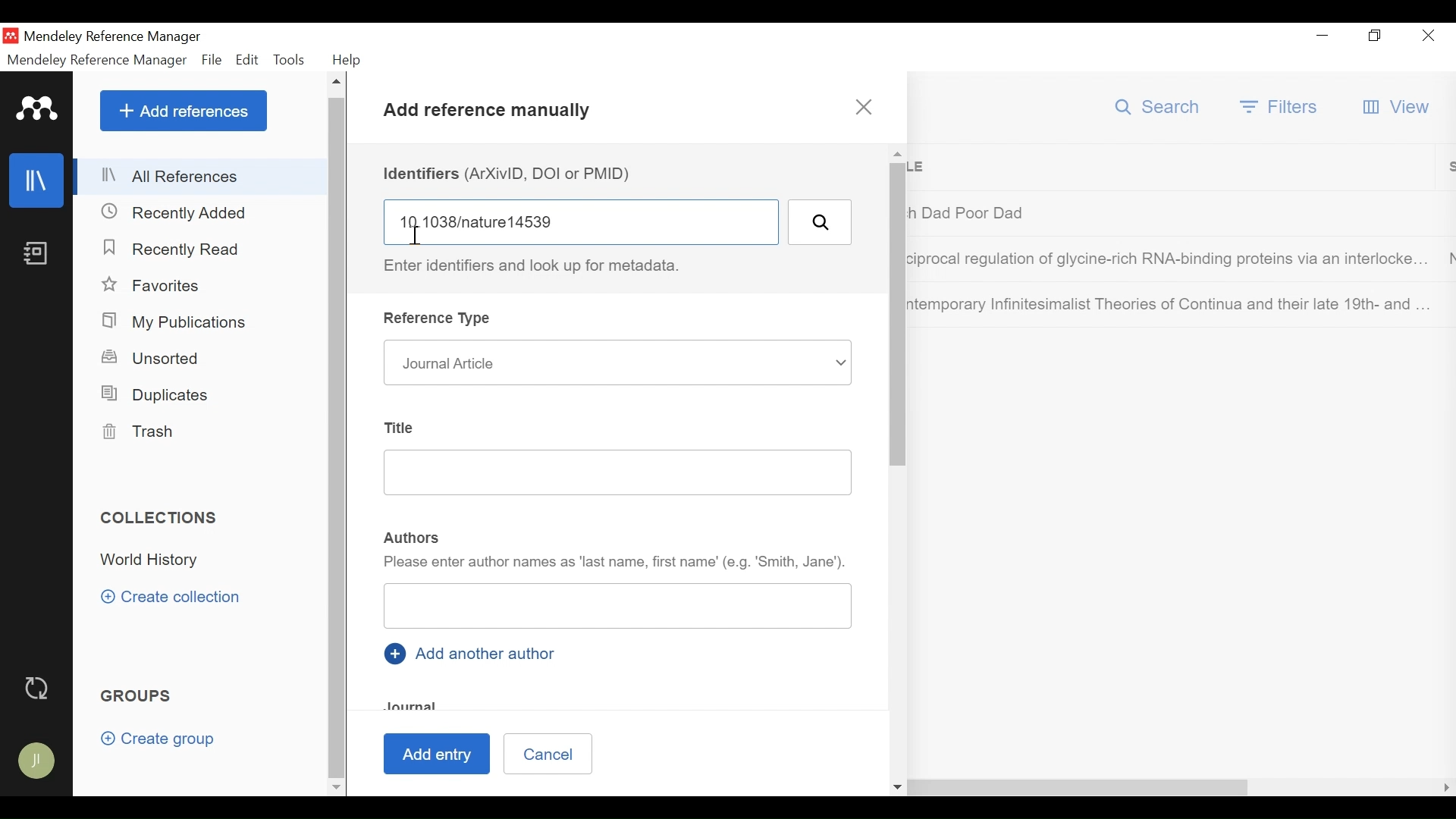 This screenshot has width=1456, height=819. I want to click on Unsorted, so click(162, 359).